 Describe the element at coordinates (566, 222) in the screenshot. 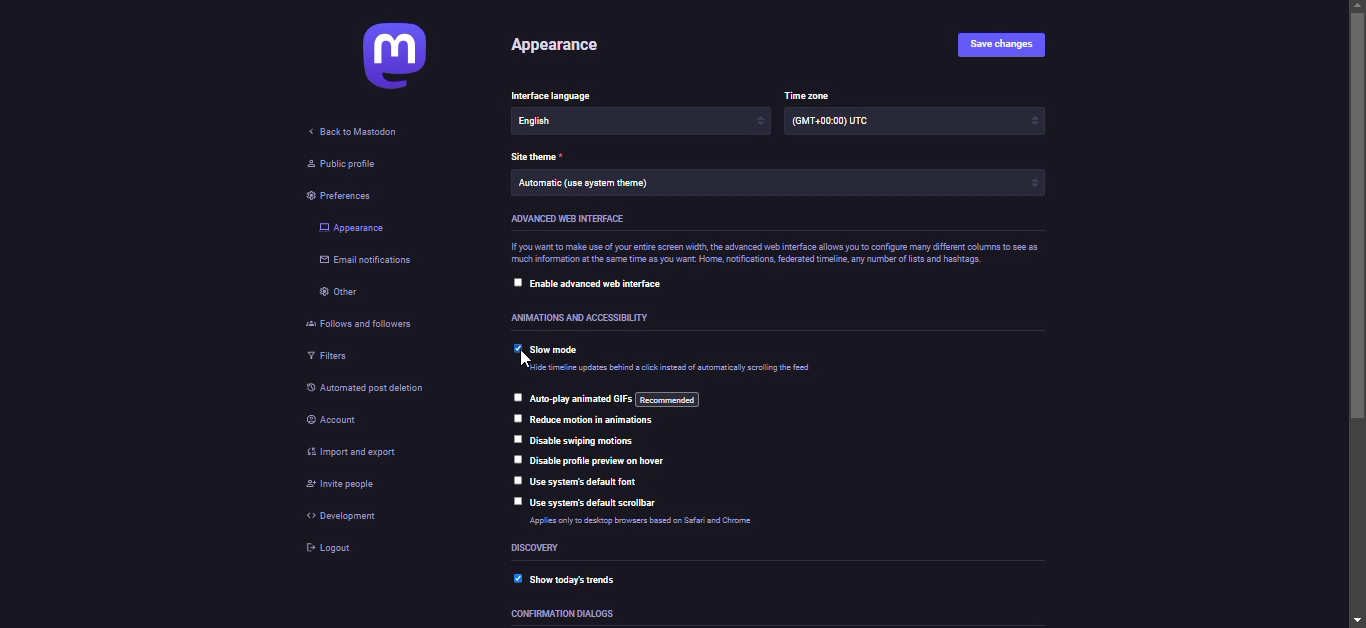

I see `advanced web interface` at that location.